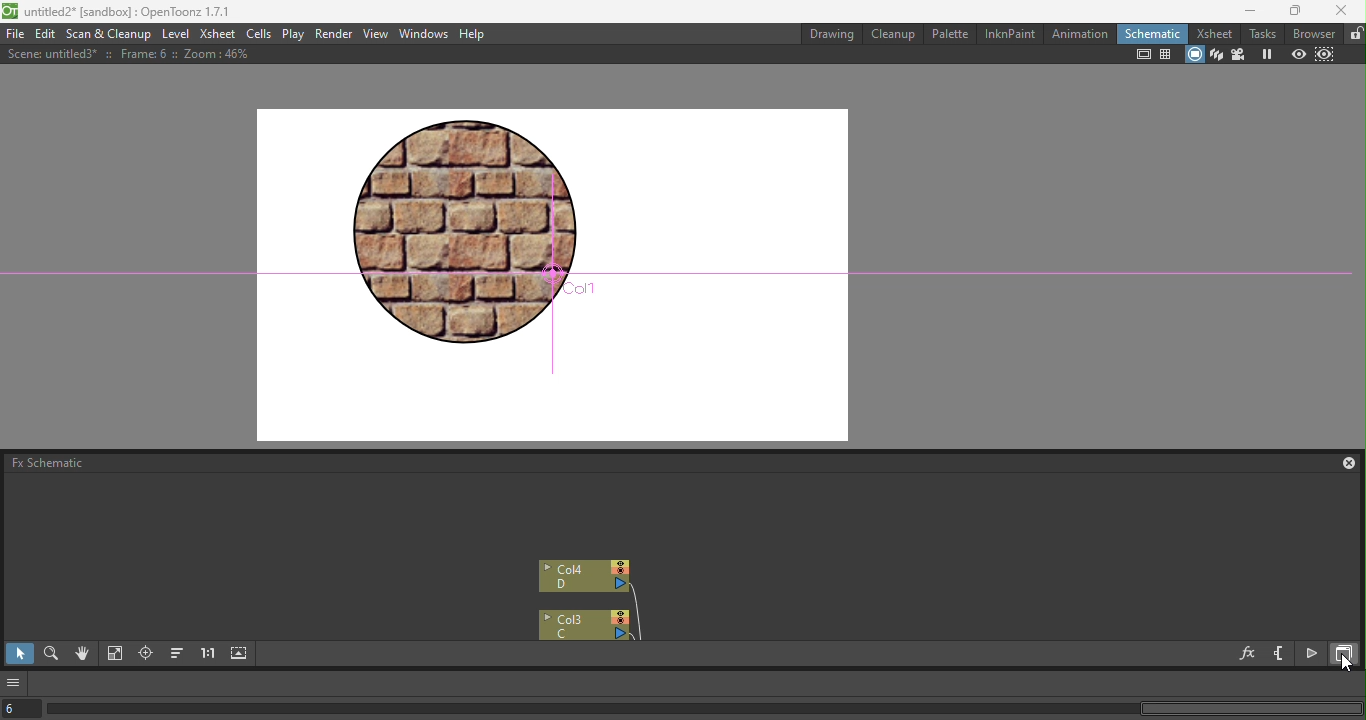 The height and width of the screenshot is (720, 1366). I want to click on Xsheet, so click(1217, 33).